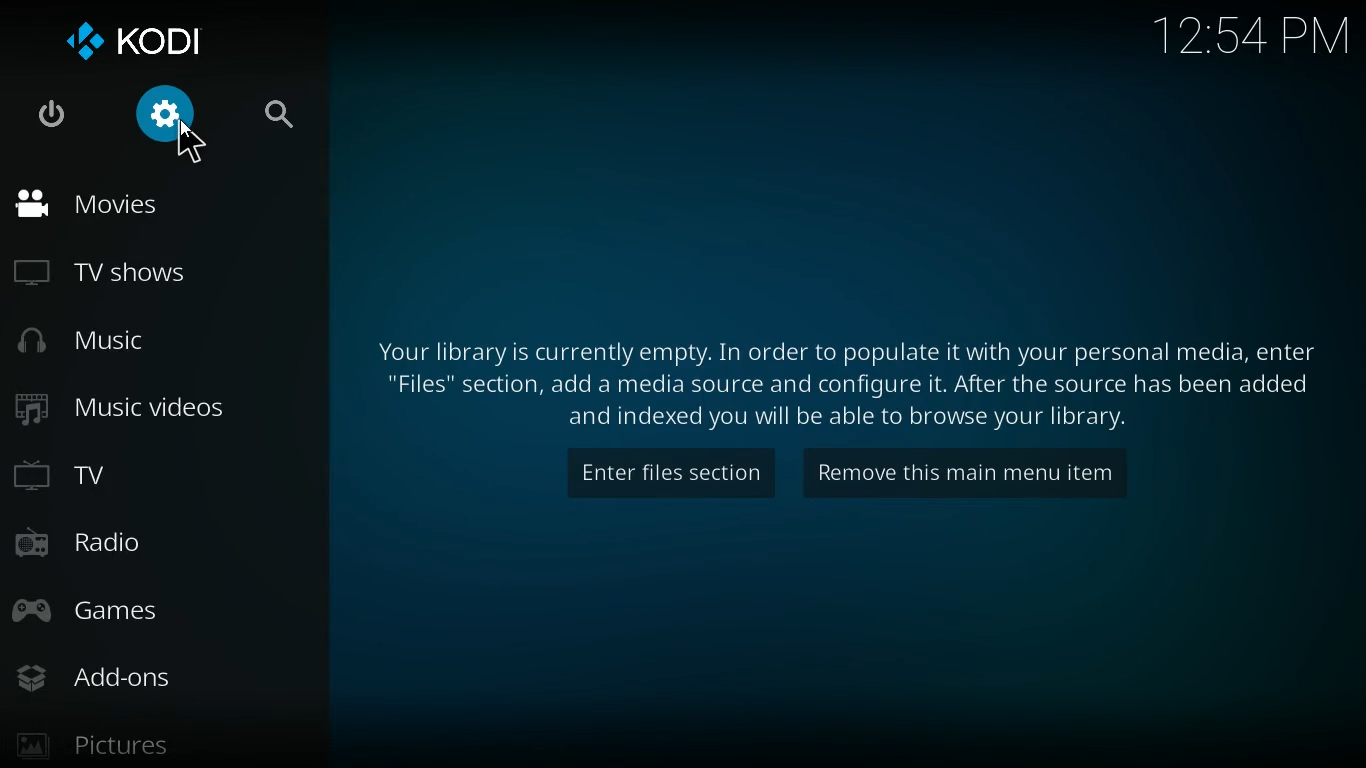 This screenshot has width=1366, height=768. What do you see at coordinates (151, 680) in the screenshot?
I see `add-ons` at bounding box center [151, 680].